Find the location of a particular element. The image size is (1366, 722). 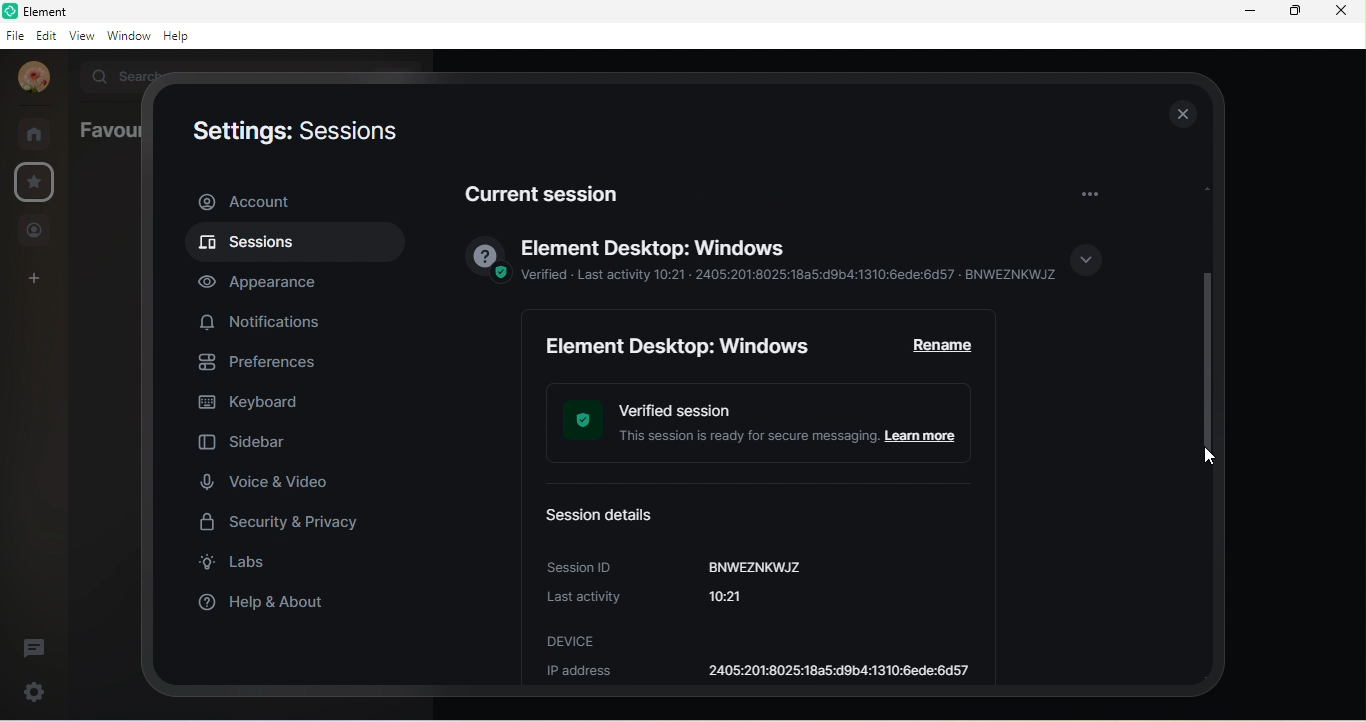

element desktop:windows is located at coordinates (680, 346).